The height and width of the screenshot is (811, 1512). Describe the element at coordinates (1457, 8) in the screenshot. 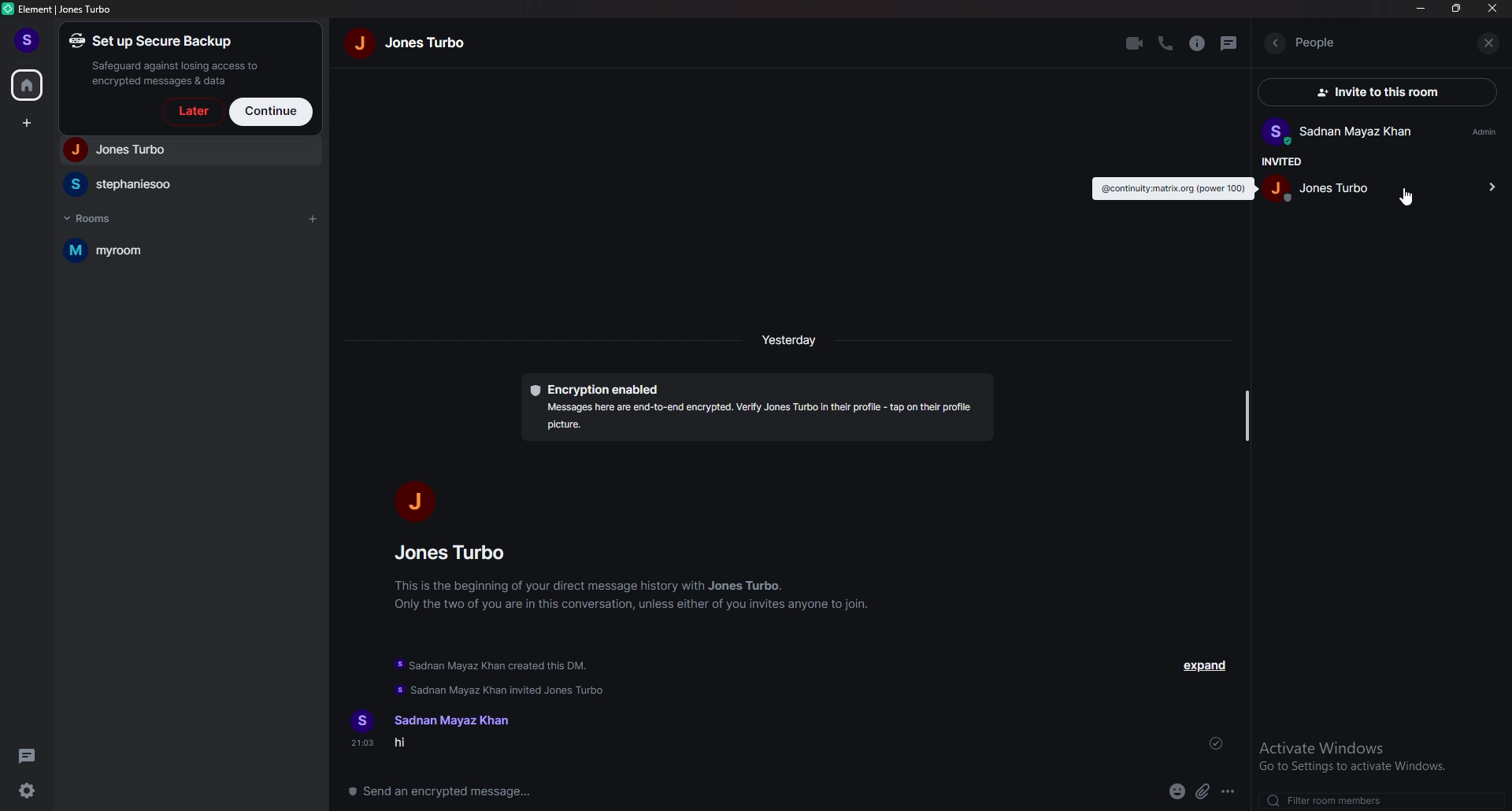

I see `resize` at that location.